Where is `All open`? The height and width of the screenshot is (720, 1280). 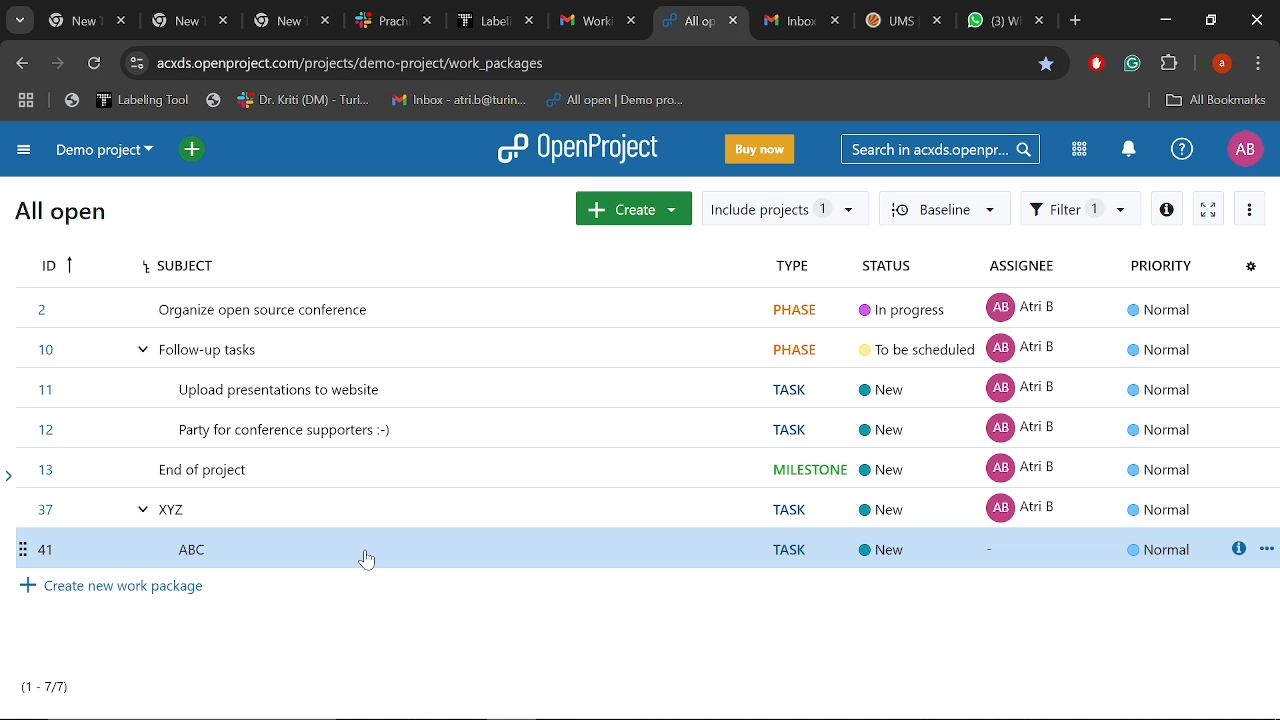 All open is located at coordinates (66, 213).